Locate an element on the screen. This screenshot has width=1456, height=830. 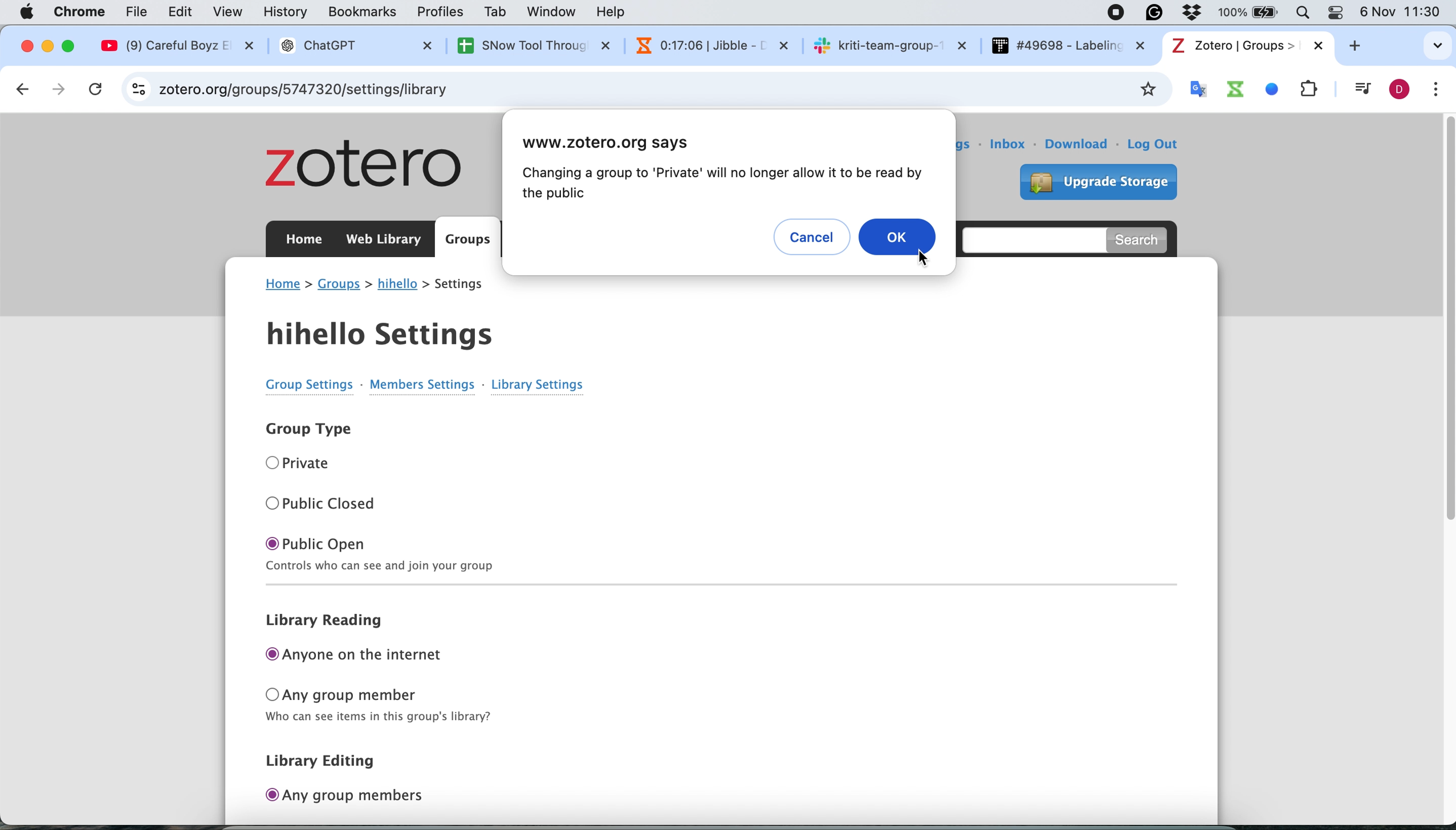
tab is located at coordinates (497, 12).